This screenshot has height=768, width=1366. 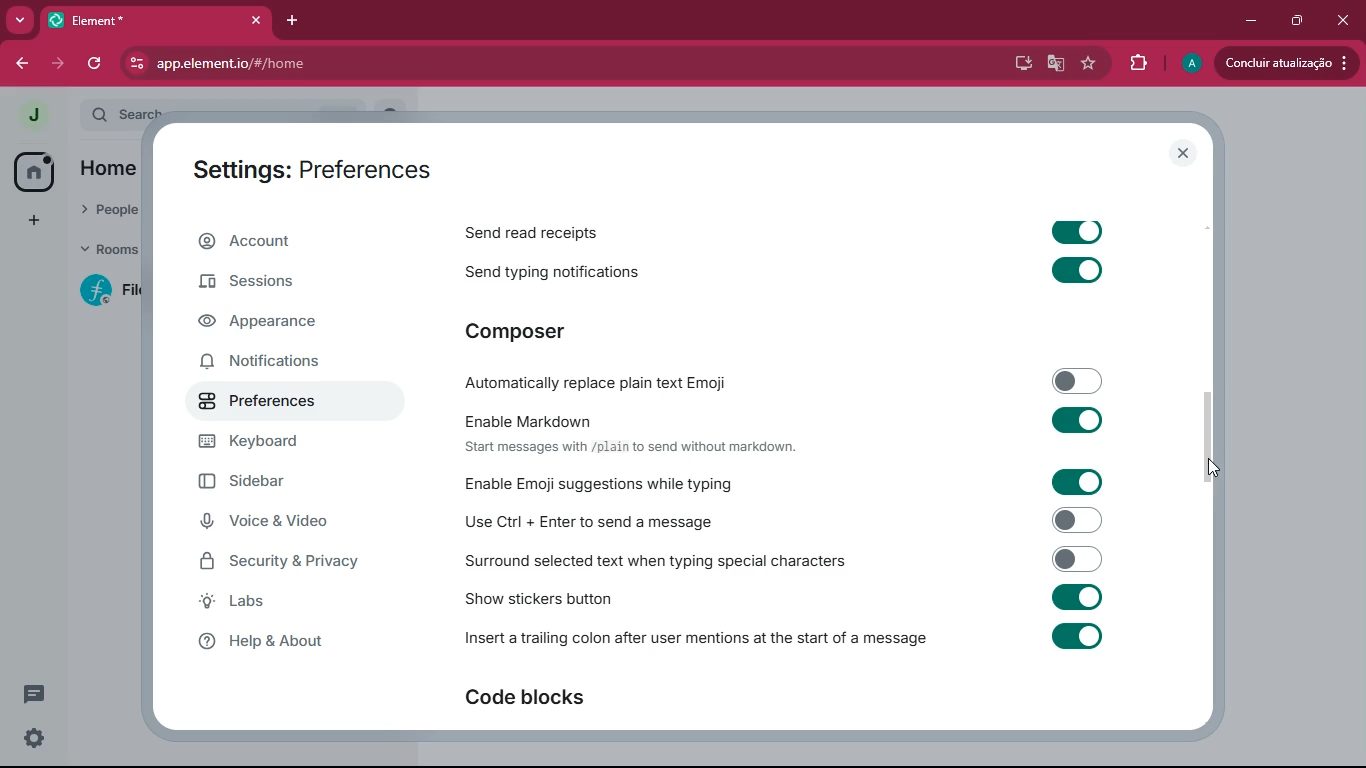 What do you see at coordinates (781, 640) in the screenshot?
I see `: Insert a trailing colon after user mentions at the start of a message` at bounding box center [781, 640].